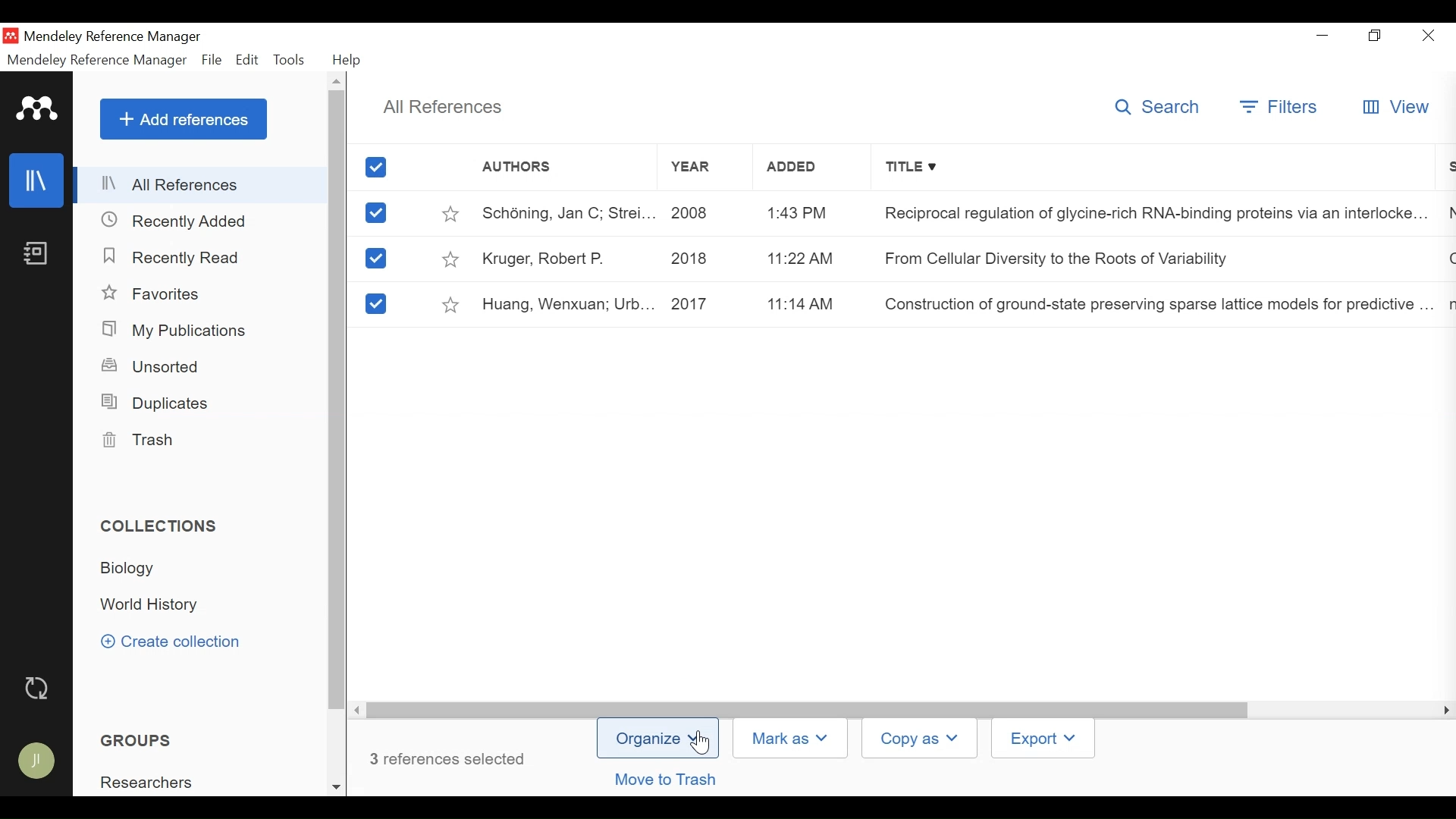 The width and height of the screenshot is (1456, 819). What do you see at coordinates (212, 60) in the screenshot?
I see `File` at bounding box center [212, 60].